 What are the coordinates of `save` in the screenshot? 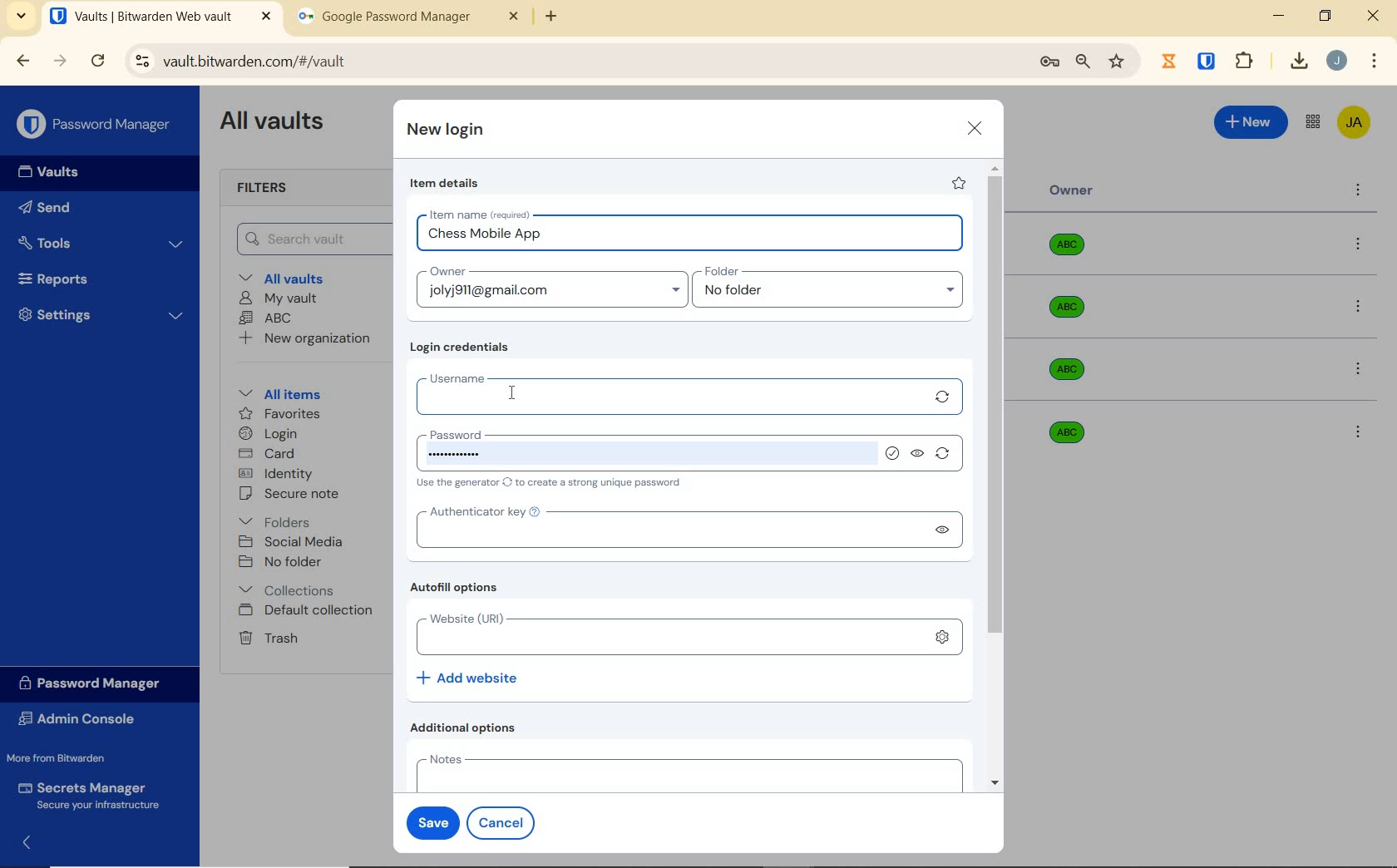 It's located at (429, 821).